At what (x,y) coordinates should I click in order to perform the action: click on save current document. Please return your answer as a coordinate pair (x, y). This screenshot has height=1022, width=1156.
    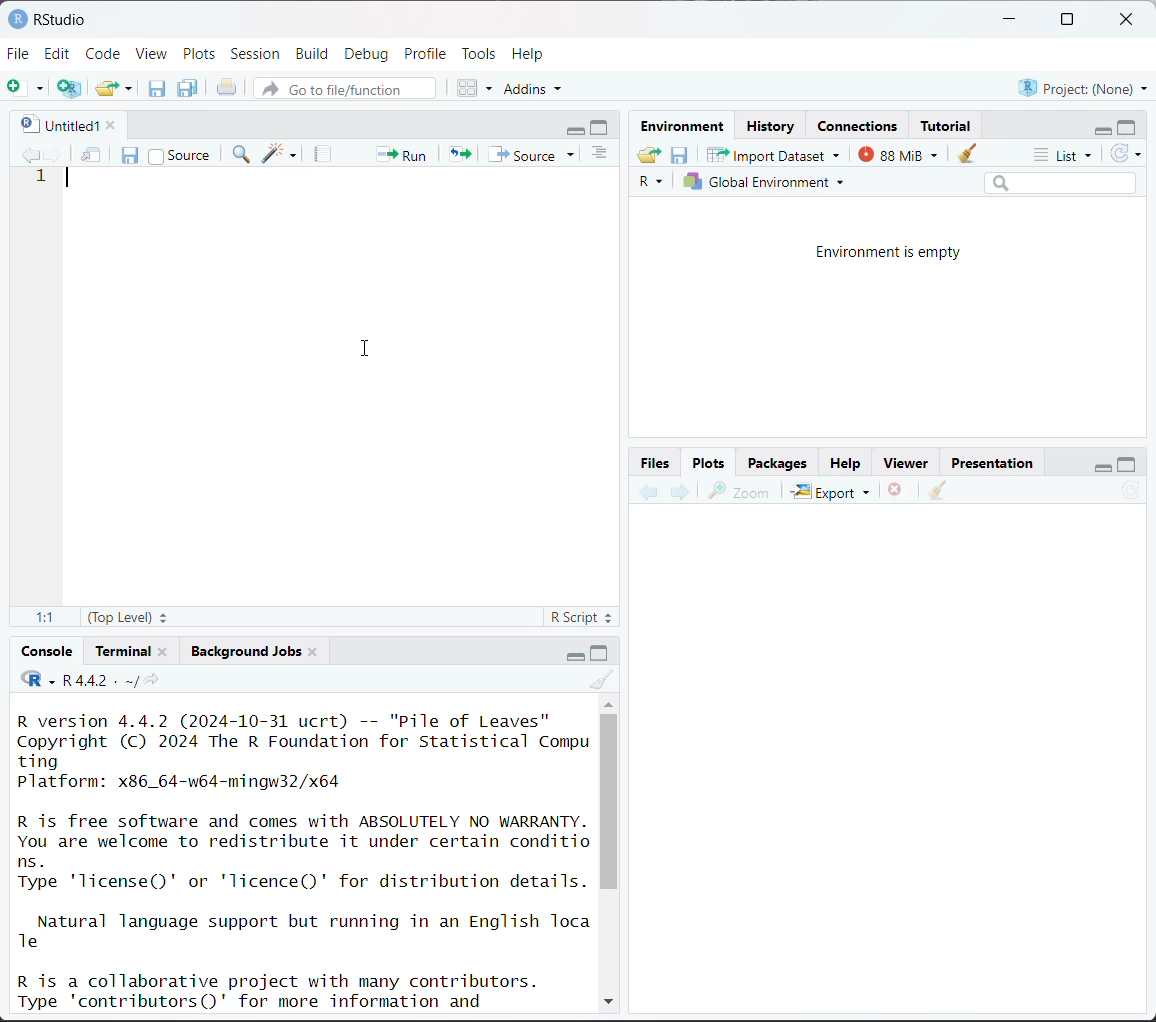
    Looking at the image, I should click on (157, 88).